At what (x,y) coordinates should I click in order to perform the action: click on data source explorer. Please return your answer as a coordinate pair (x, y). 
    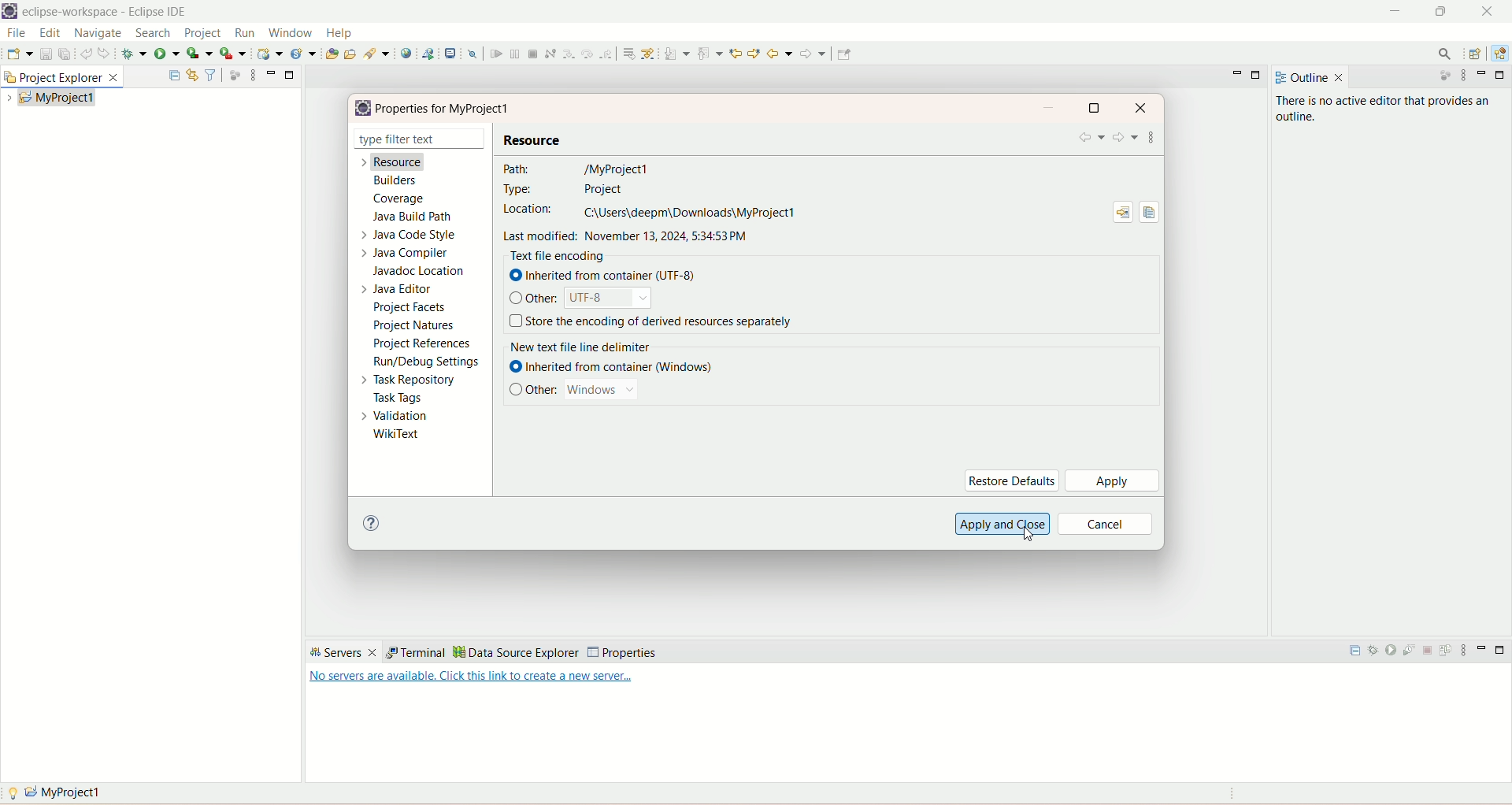
    Looking at the image, I should click on (517, 652).